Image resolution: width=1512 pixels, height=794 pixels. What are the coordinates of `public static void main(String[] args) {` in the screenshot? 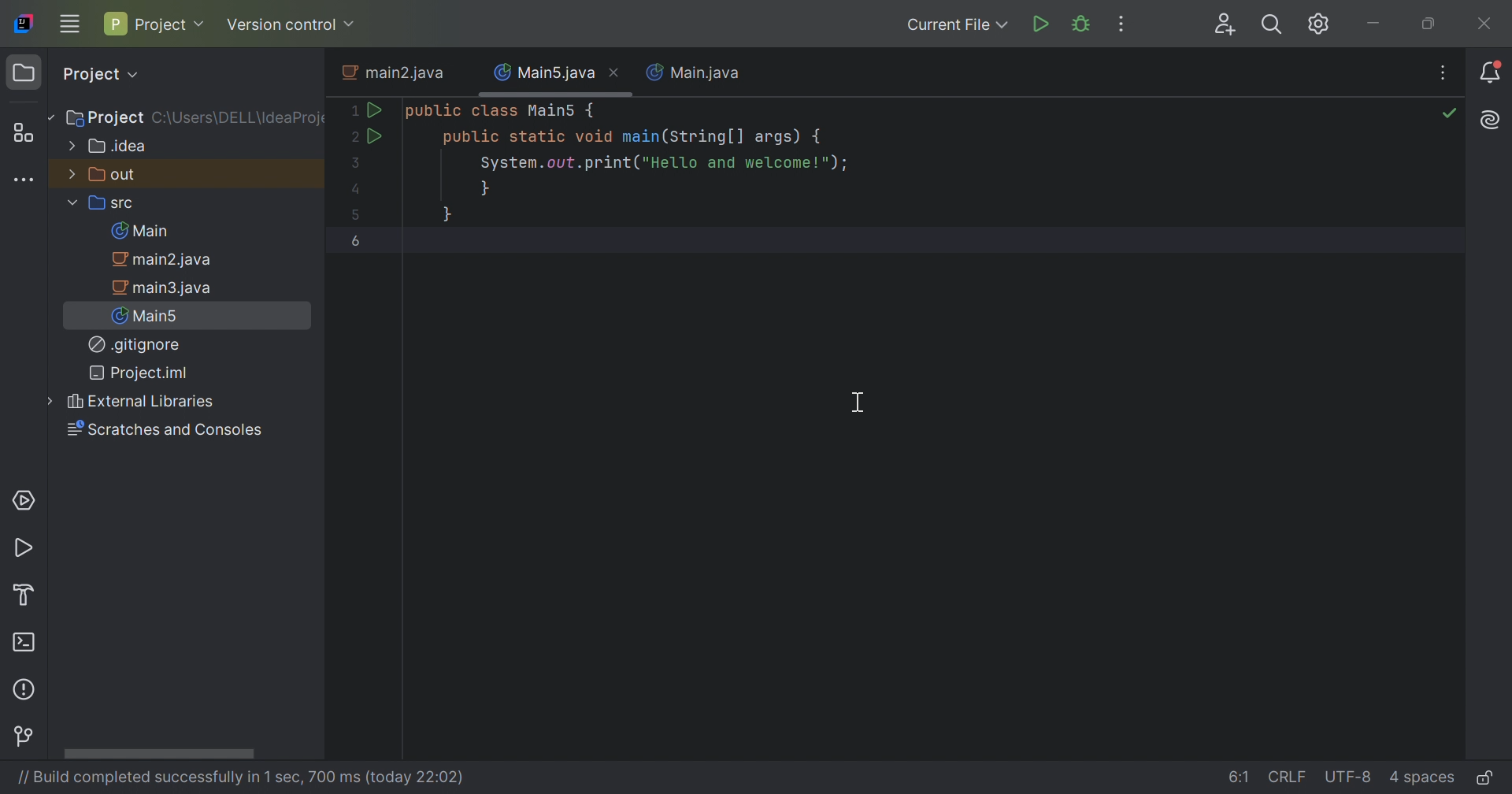 It's located at (634, 137).